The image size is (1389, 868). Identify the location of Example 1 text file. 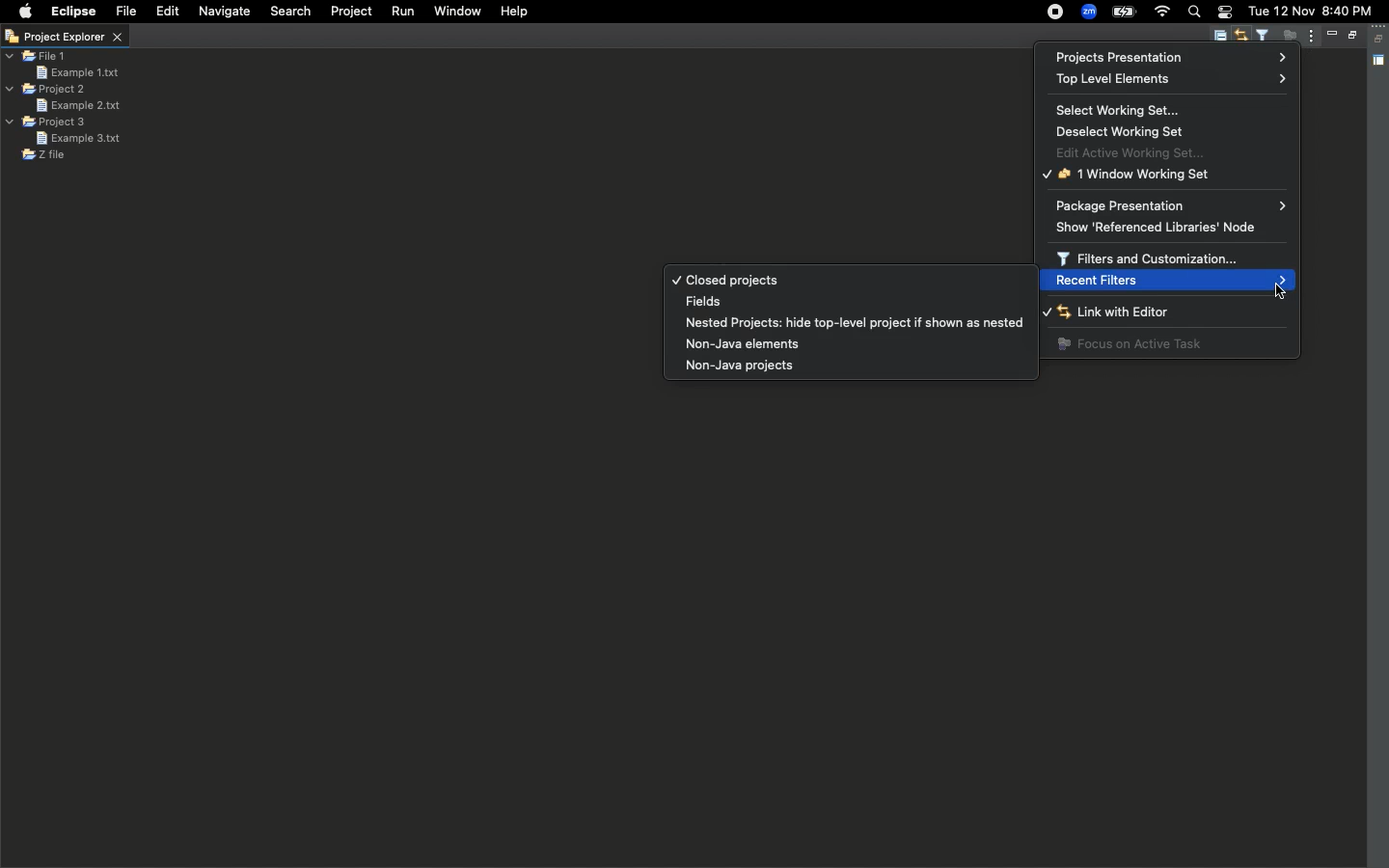
(77, 71).